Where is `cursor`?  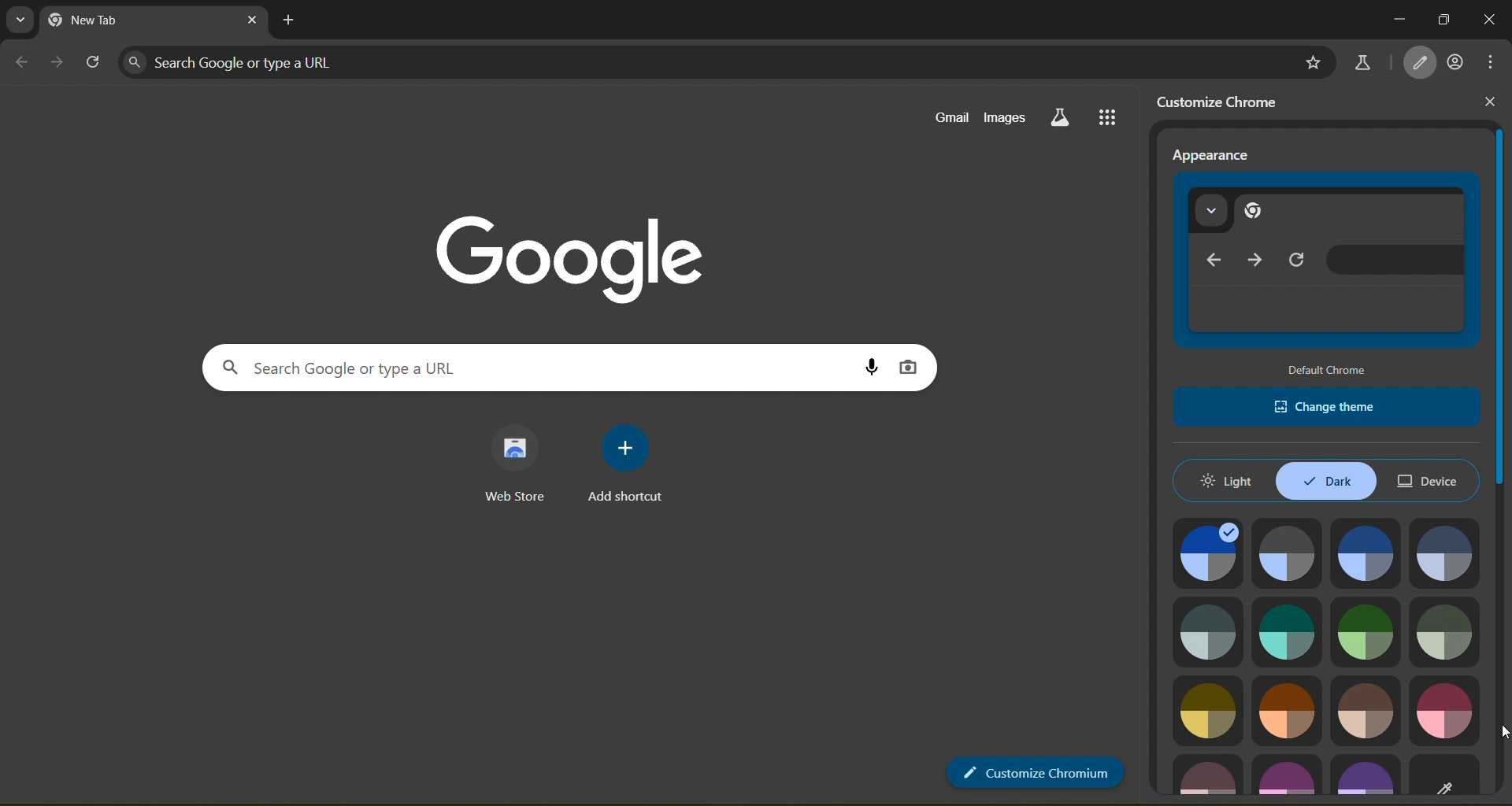
cursor is located at coordinates (1503, 741).